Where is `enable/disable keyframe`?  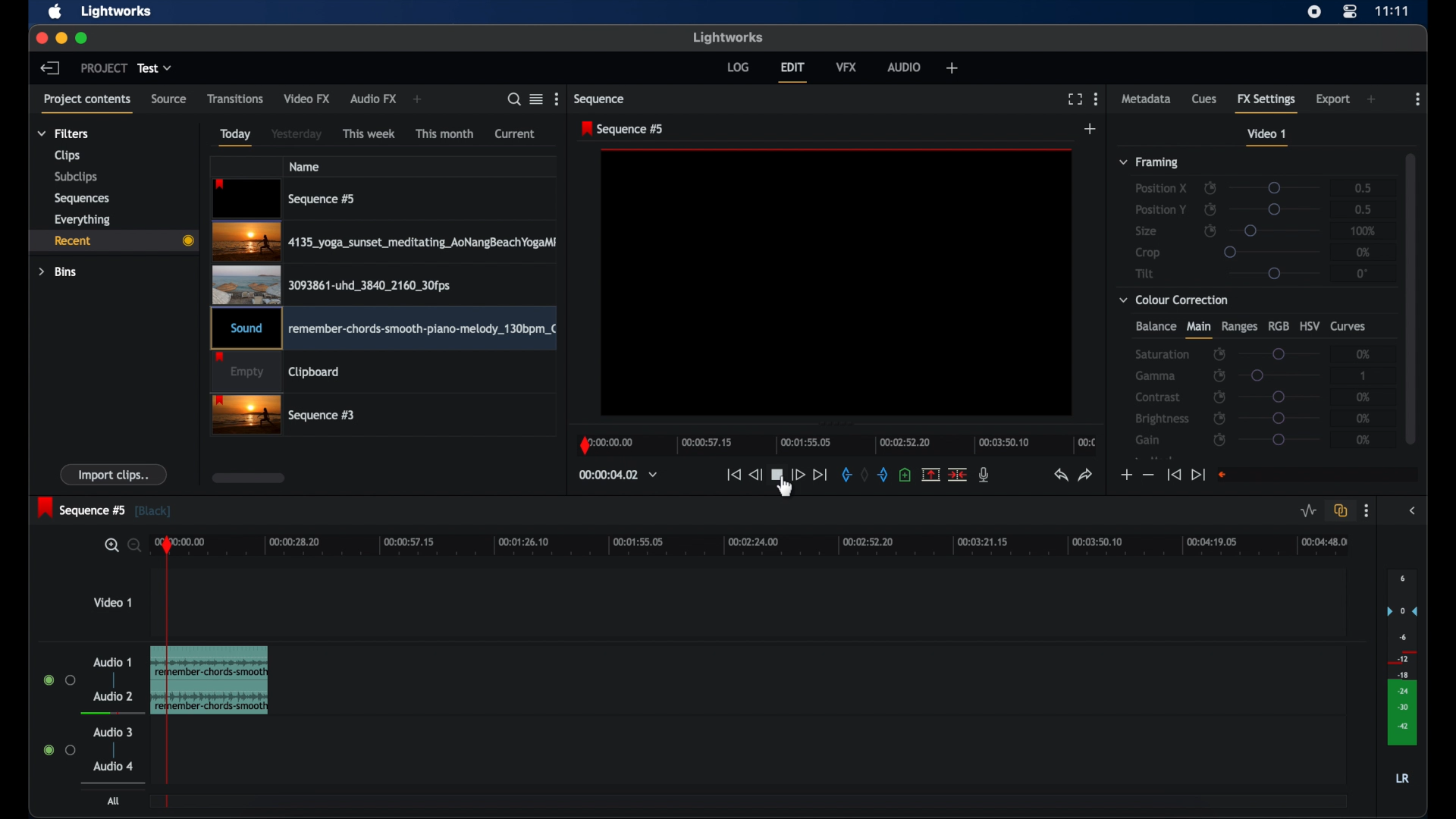
enable/disable keyframe is located at coordinates (1210, 209).